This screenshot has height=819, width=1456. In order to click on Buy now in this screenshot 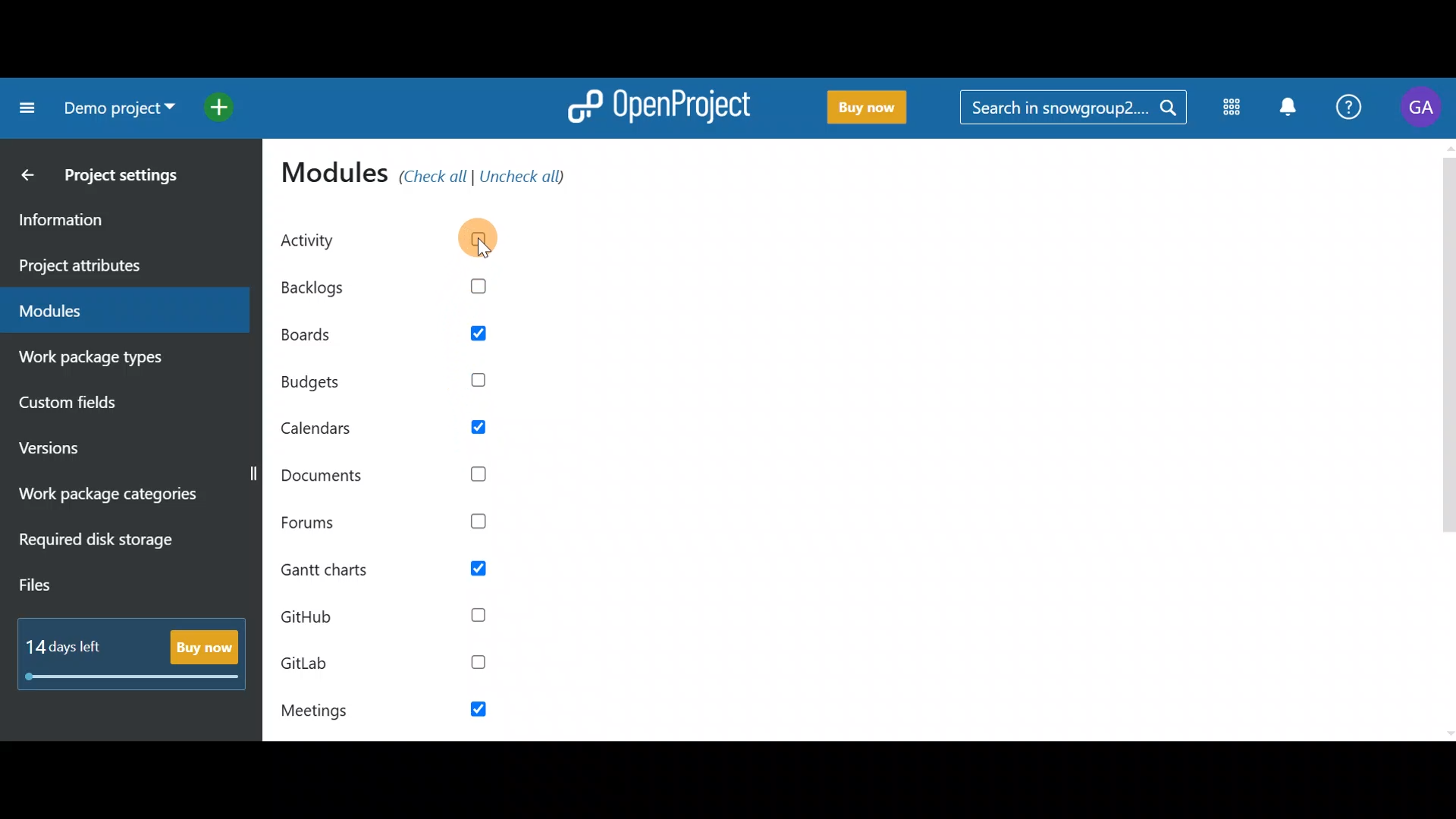, I will do `click(870, 110)`.